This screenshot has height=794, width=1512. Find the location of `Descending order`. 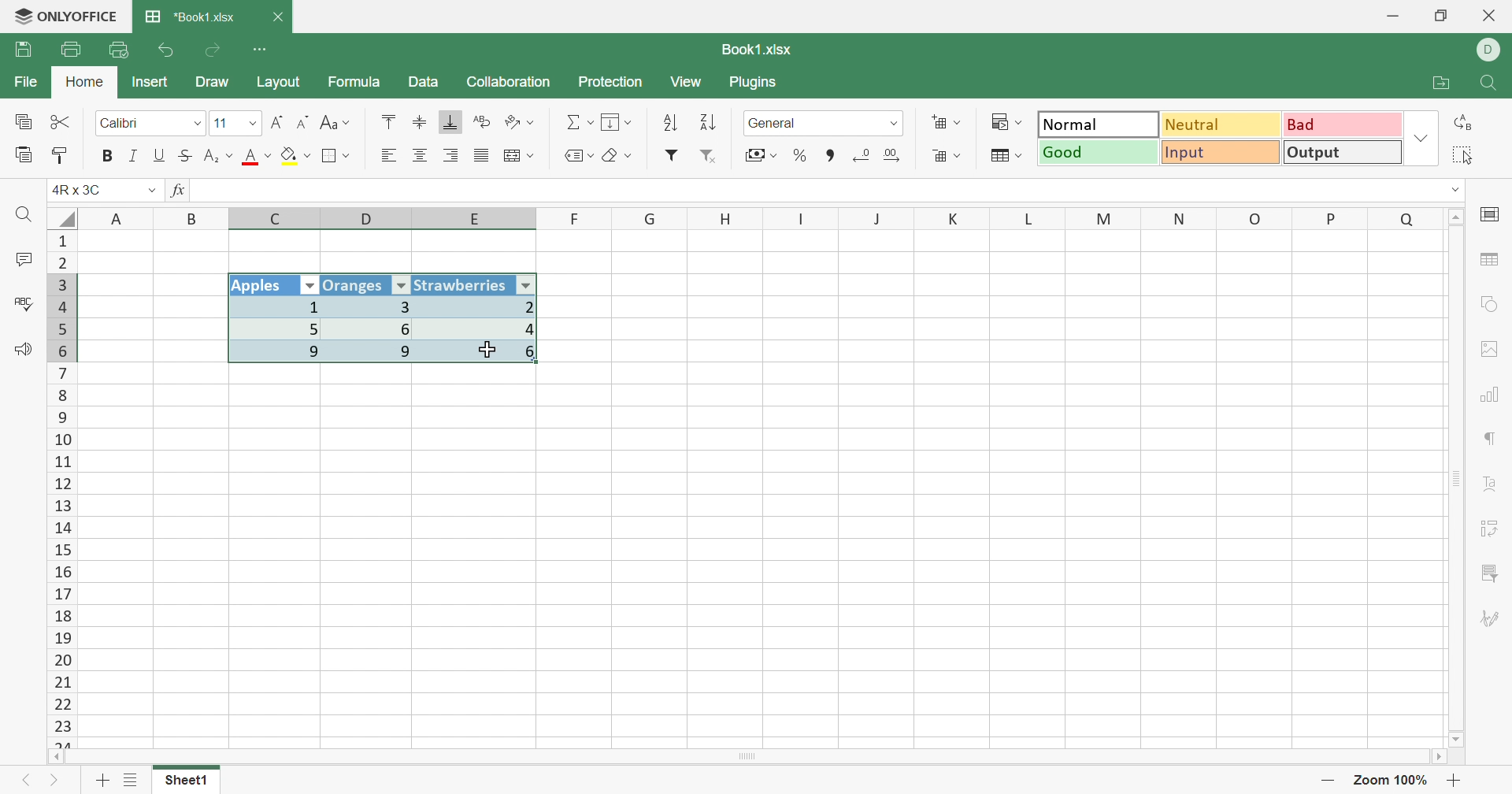

Descending order is located at coordinates (706, 124).